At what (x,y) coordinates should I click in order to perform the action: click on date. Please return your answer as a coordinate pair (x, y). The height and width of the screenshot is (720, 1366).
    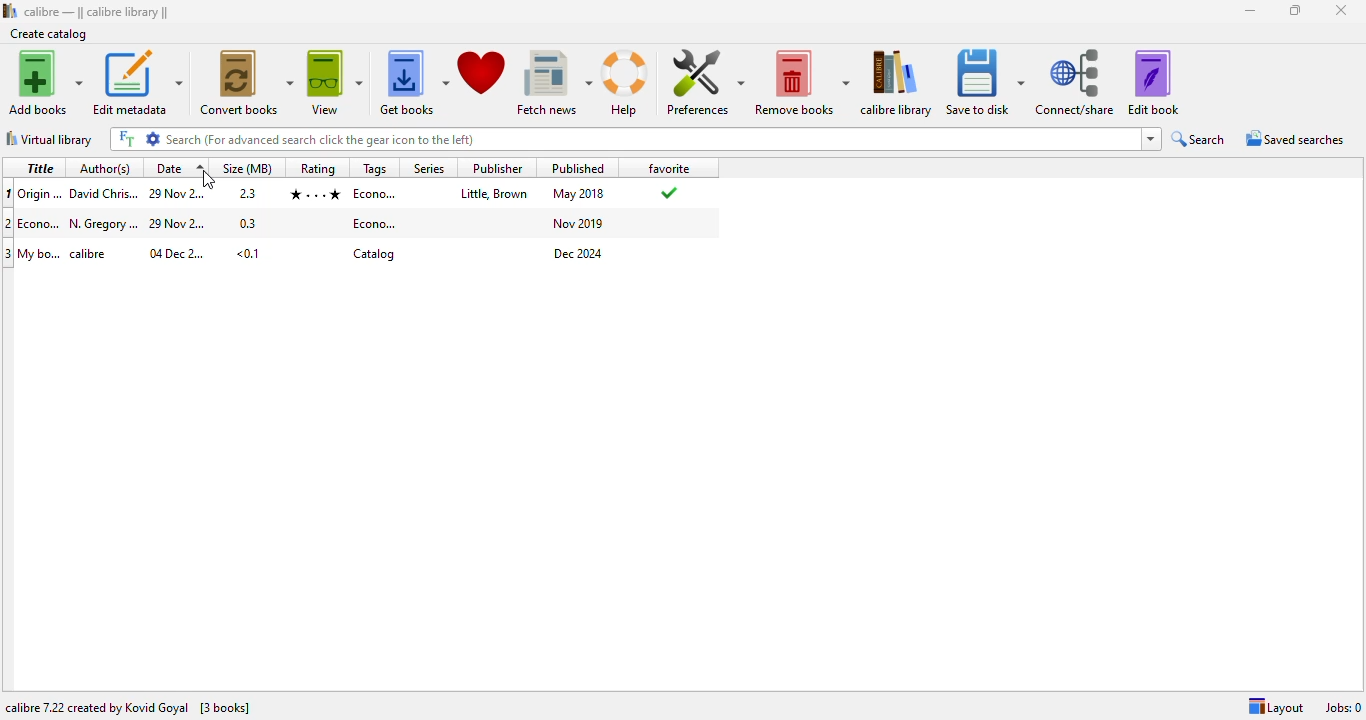
    Looking at the image, I should click on (177, 253).